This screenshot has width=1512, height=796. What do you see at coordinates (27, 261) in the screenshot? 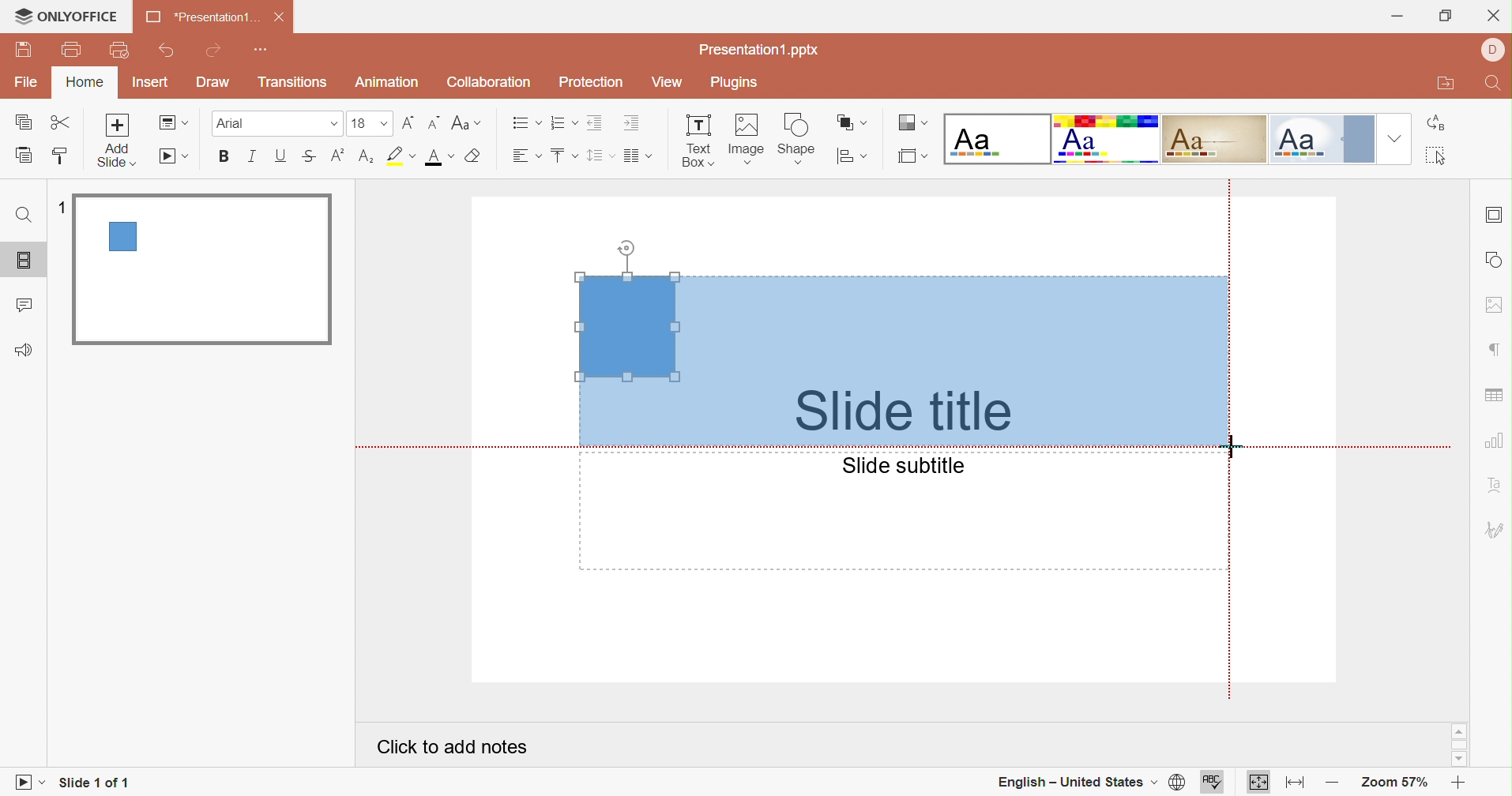
I see `Slides` at bounding box center [27, 261].